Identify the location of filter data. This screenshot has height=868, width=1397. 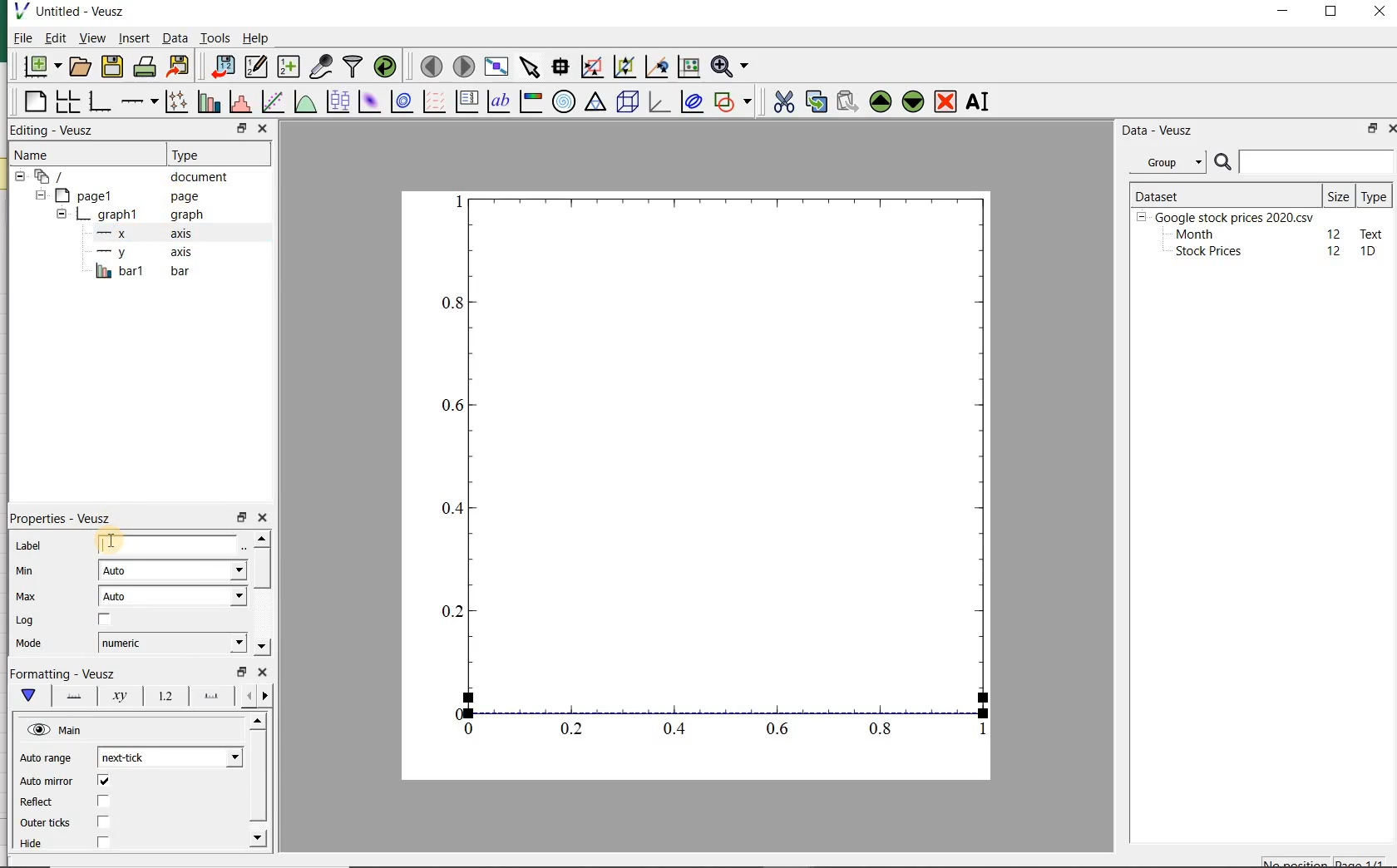
(353, 66).